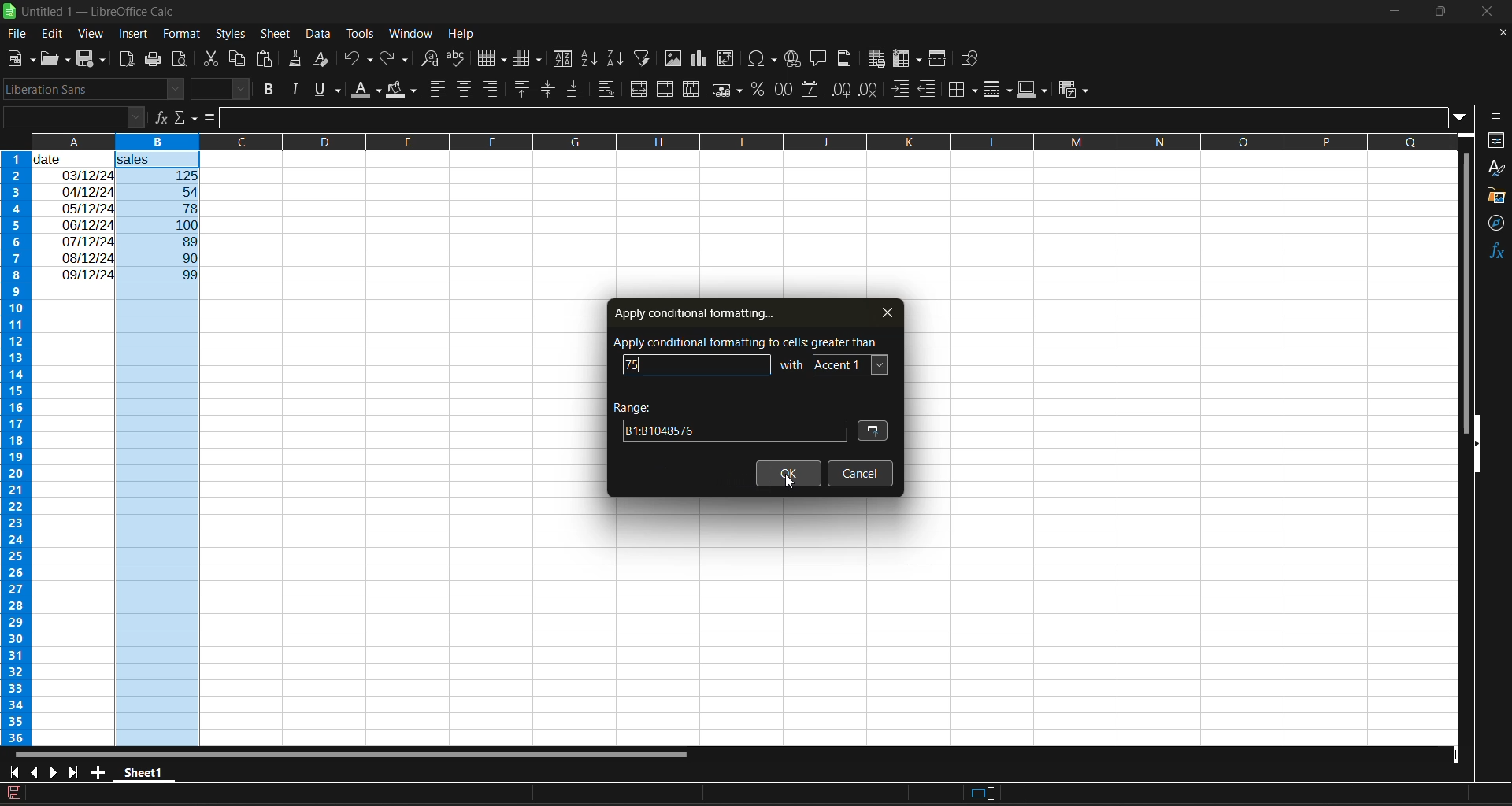 The height and width of the screenshot is (806, 1512). Describe the element at coordinates (331, 90) in the screenshot. I see `underline` at that location.